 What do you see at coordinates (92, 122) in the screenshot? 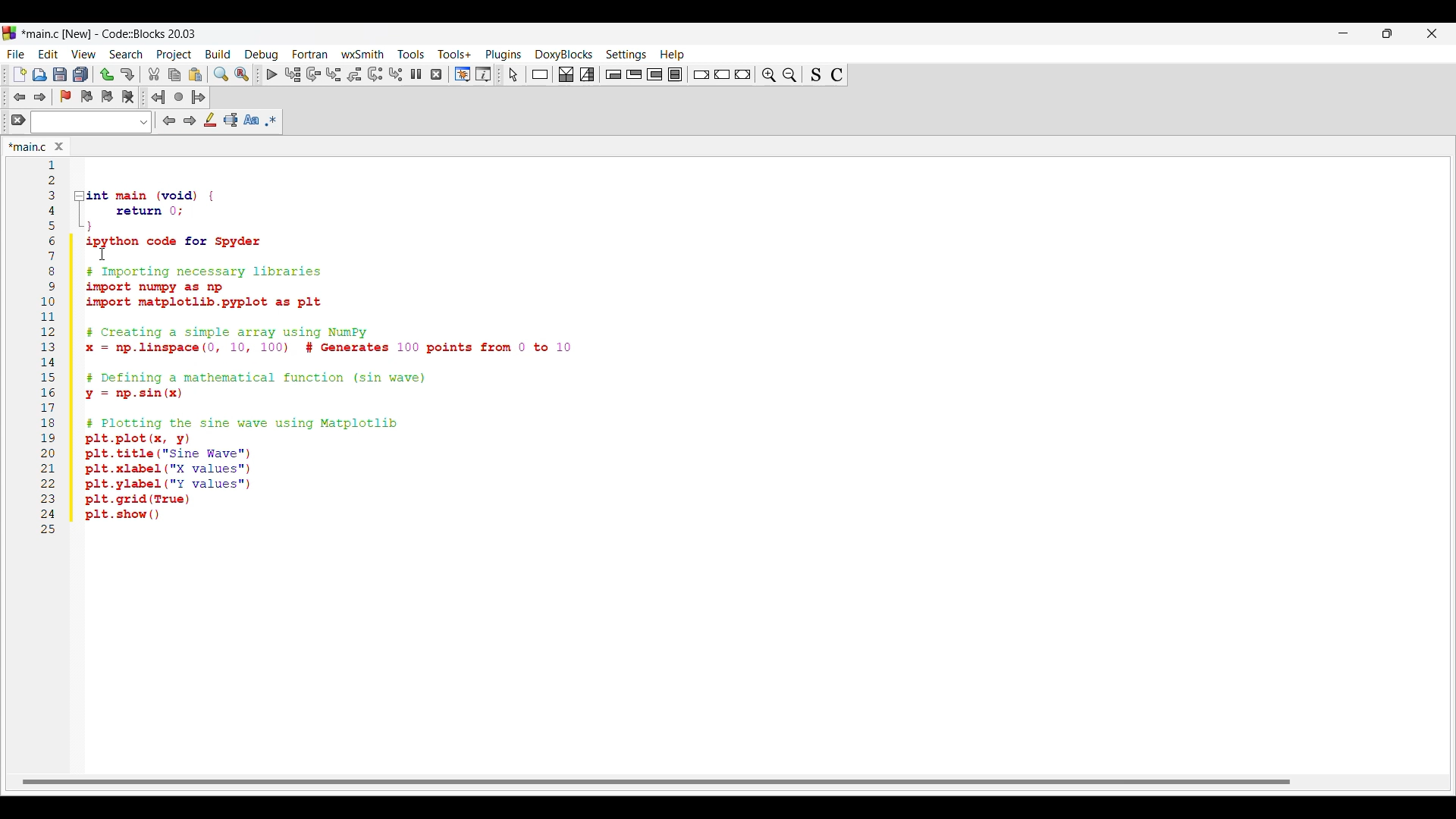
I see `Text box and text options` at bounding box center [92, 122].